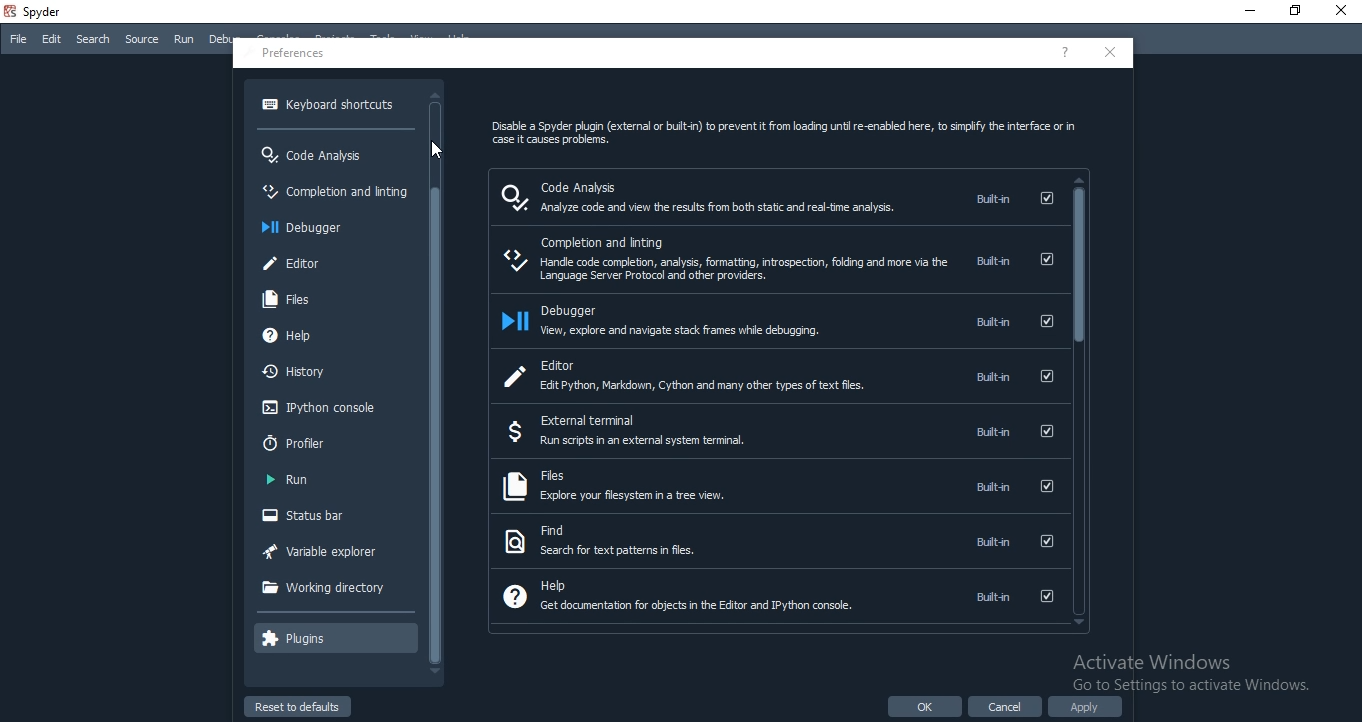 The image size is (1362, 722). I want to click on Plugins, so click(295, 638).